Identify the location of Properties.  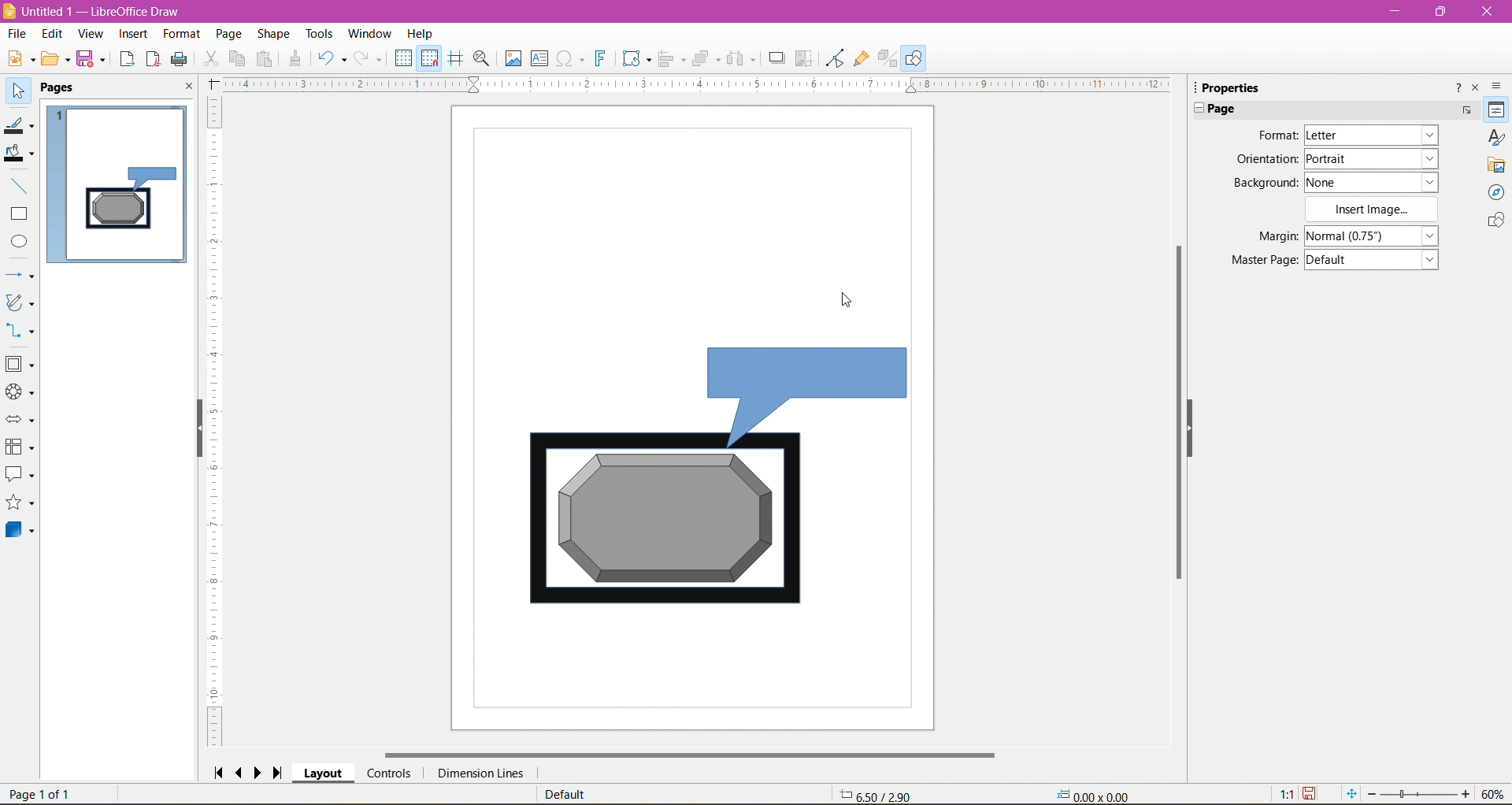
(1237, 87).